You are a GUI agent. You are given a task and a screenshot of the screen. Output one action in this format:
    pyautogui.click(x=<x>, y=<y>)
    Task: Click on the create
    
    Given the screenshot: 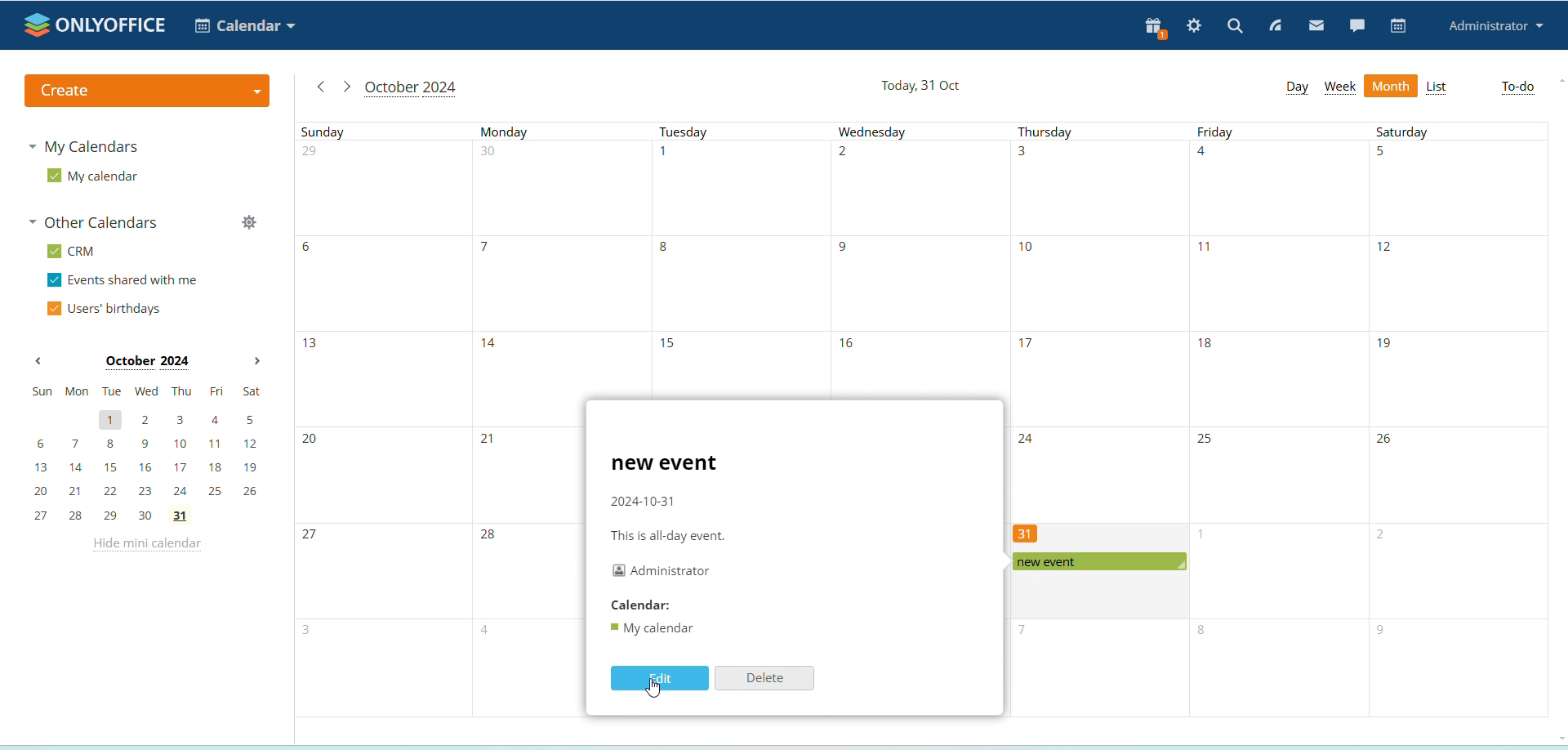 What is the action you would take?
    pyautogui.click(x=145, y=91)
    